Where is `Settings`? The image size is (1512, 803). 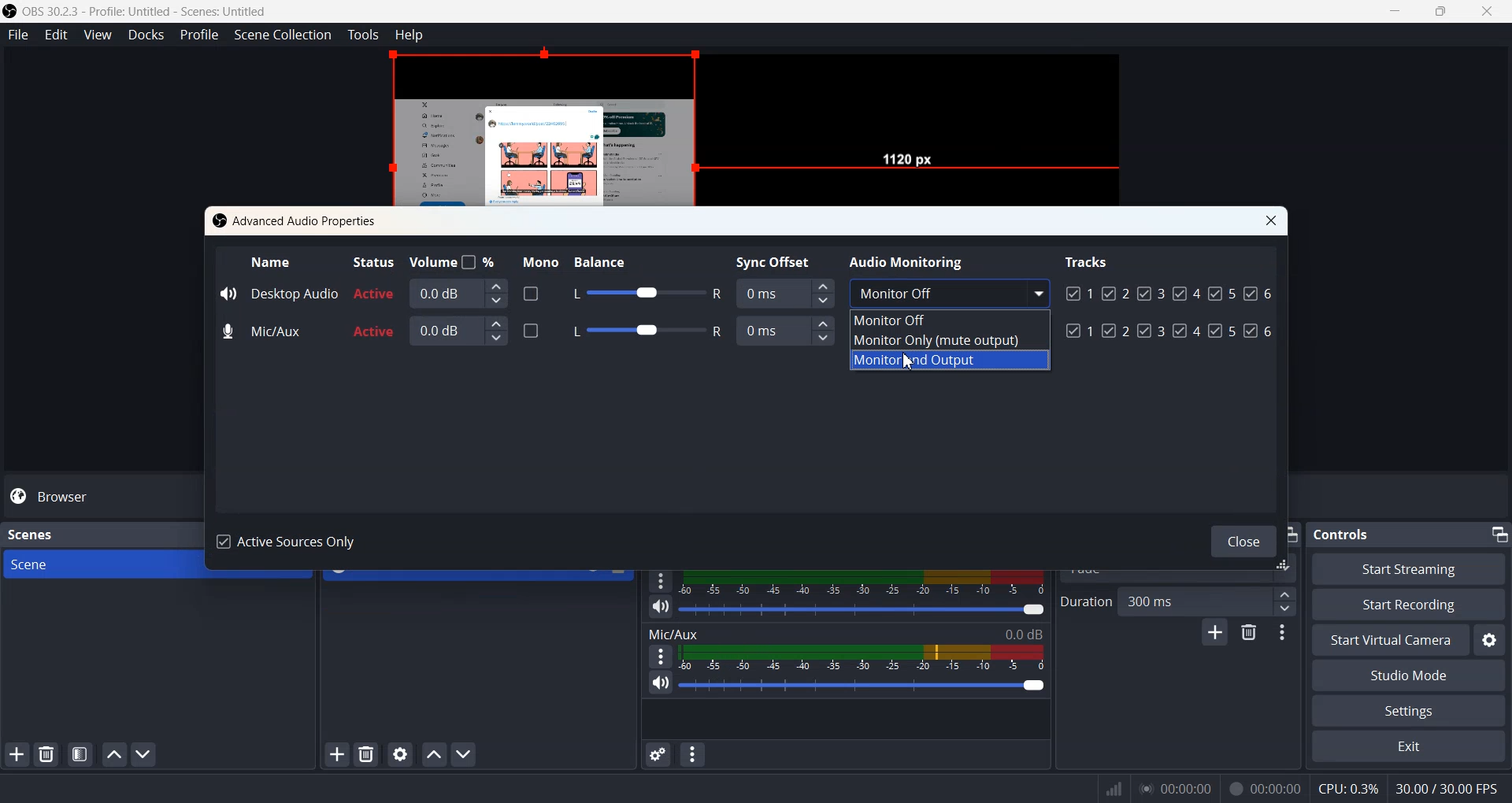 Settings is located at coordinates (1407, 712).